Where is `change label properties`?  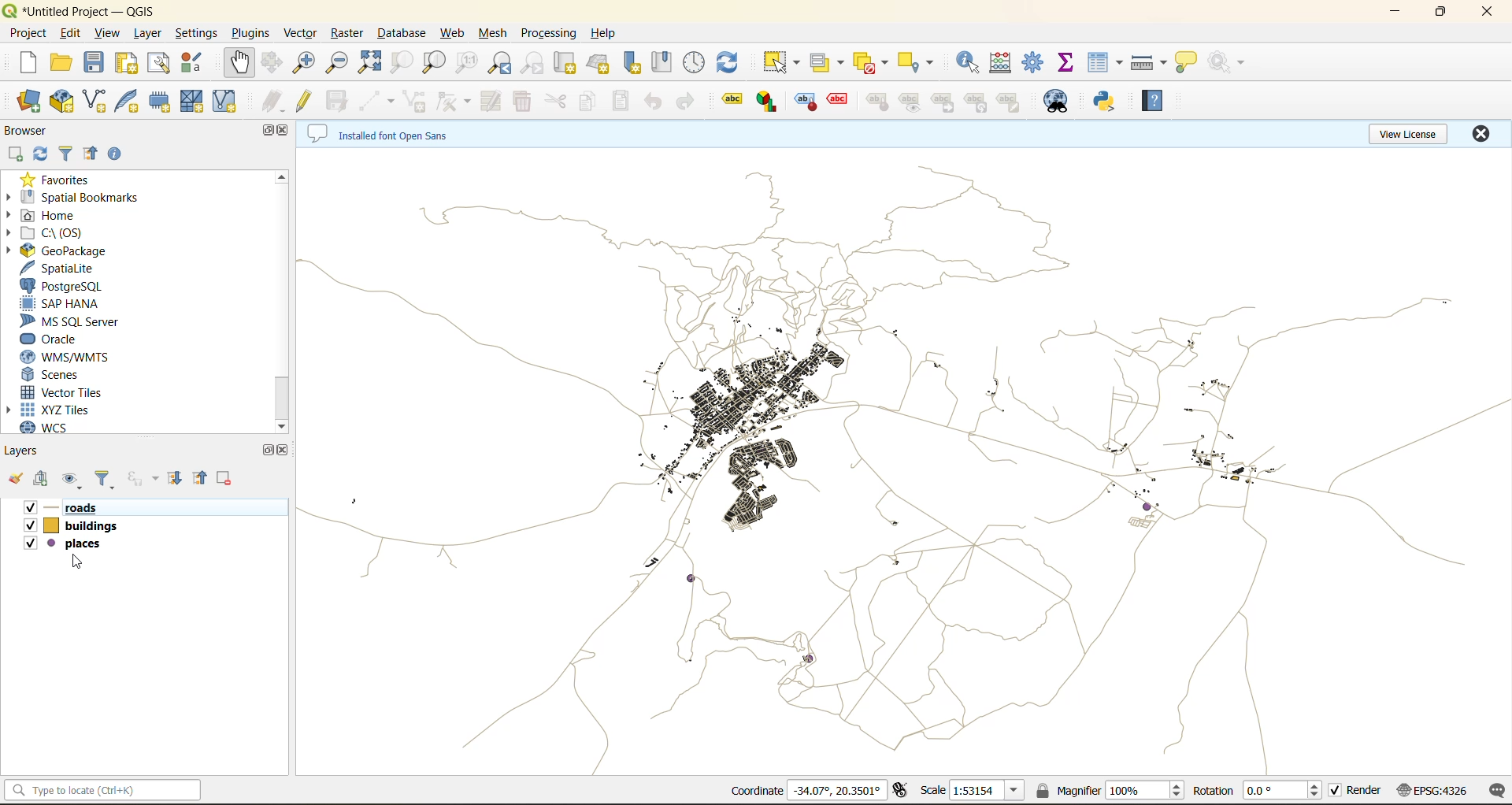 change label properties is located at coordinates (1012, 103).